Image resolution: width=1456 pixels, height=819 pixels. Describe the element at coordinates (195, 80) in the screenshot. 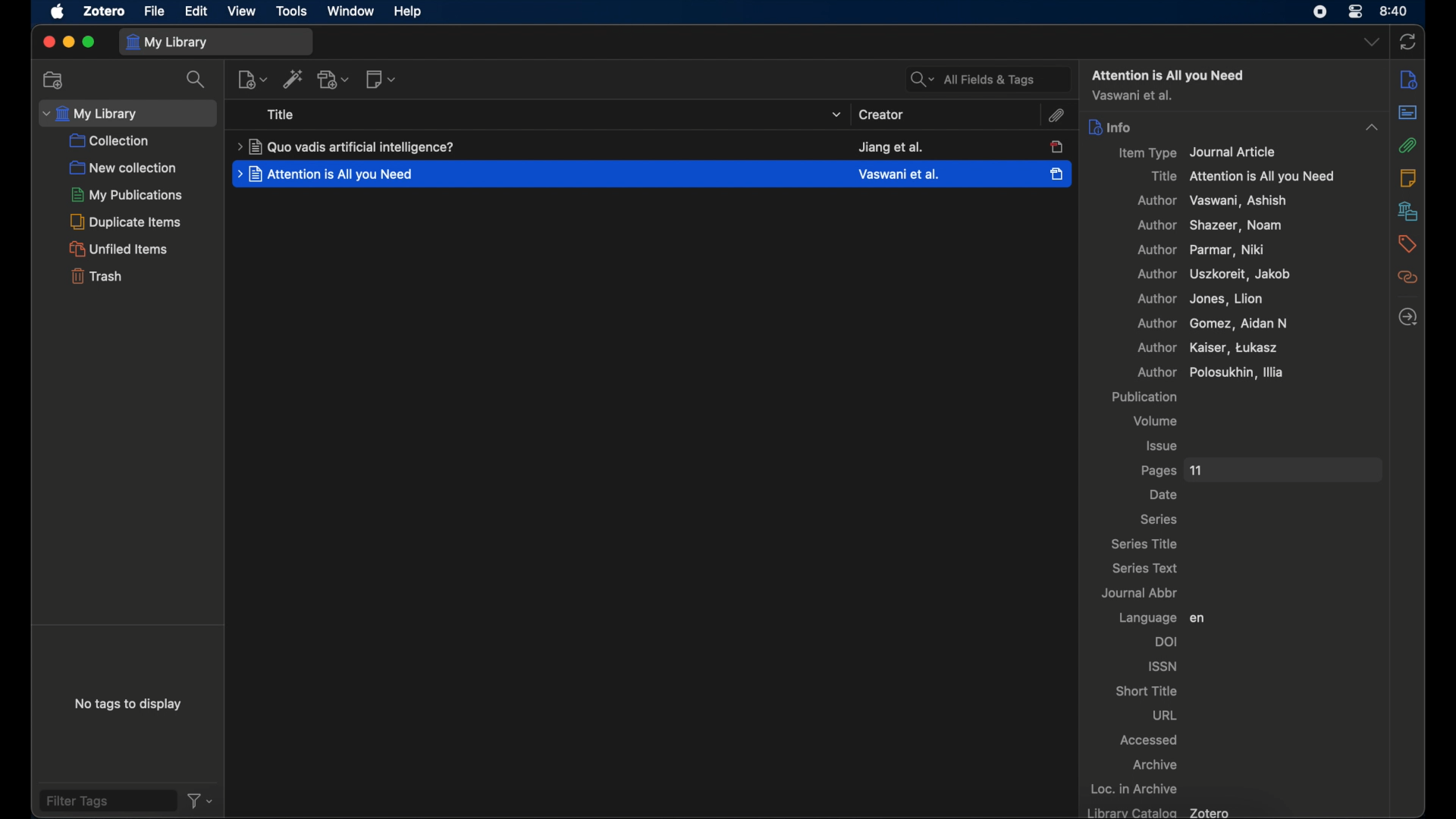

I see `search` at that location.